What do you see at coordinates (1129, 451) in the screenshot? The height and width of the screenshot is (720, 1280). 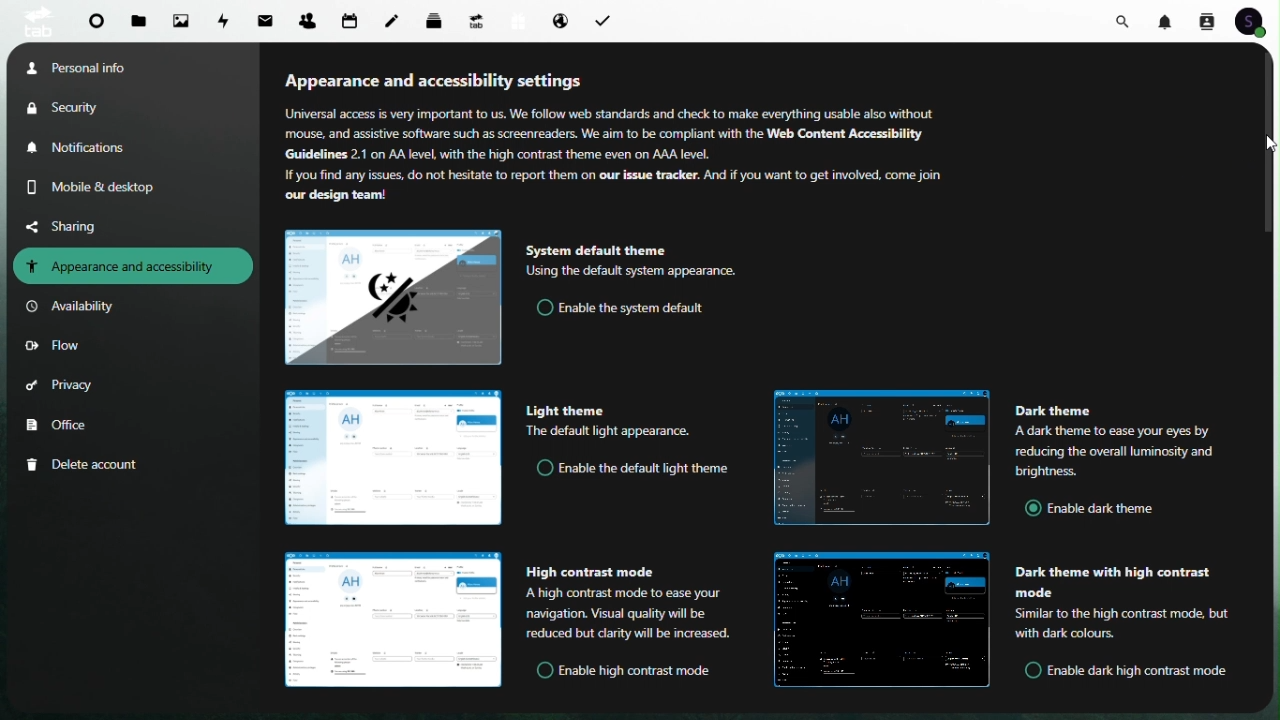 I see `A dark theme to ease your eyes by reducing the overall luminosity and brightness.` at bounding box center [1129, 451].